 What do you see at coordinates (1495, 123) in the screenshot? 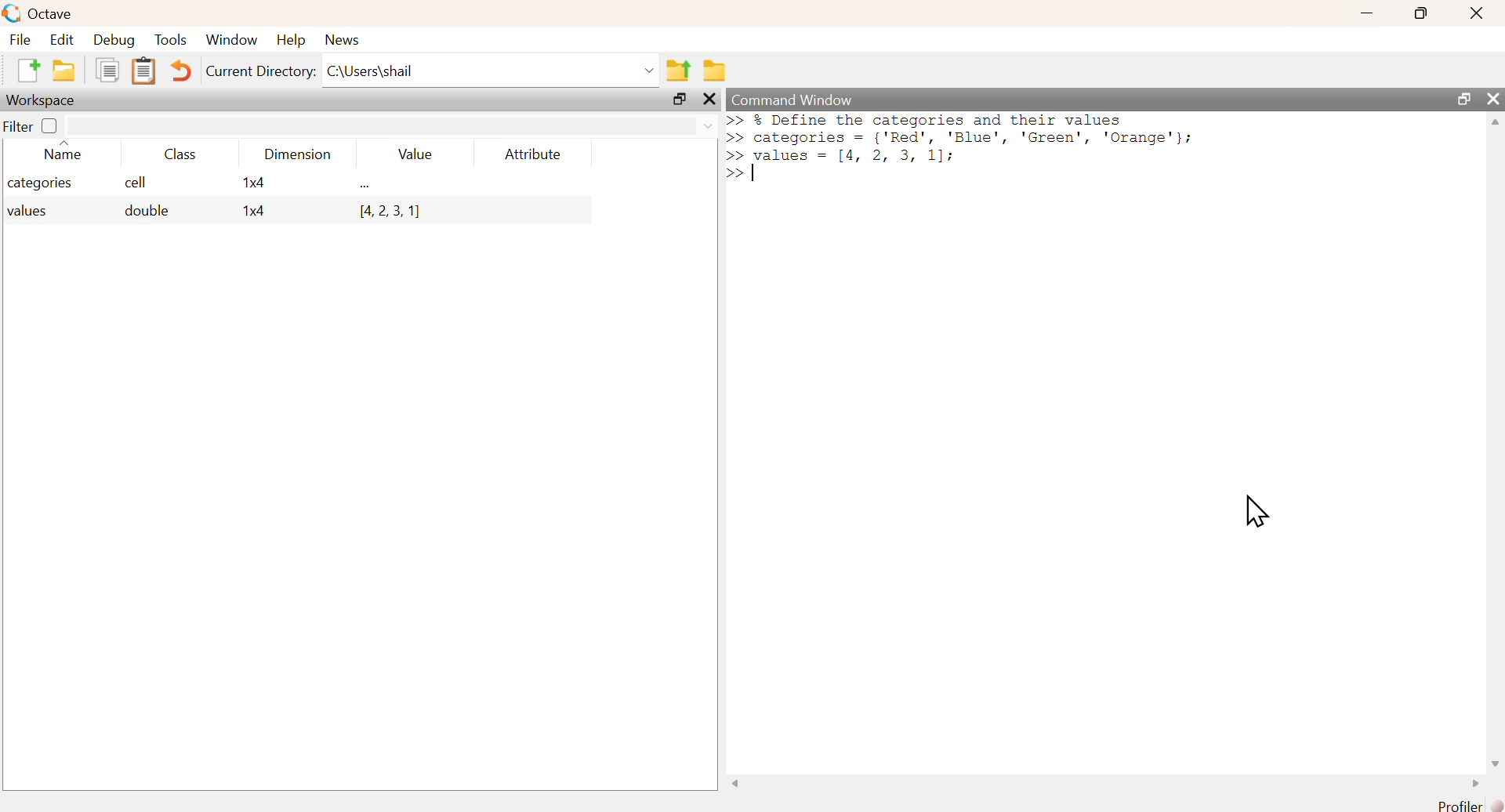
I see `scroll up` at bounding box center [1495, 123].